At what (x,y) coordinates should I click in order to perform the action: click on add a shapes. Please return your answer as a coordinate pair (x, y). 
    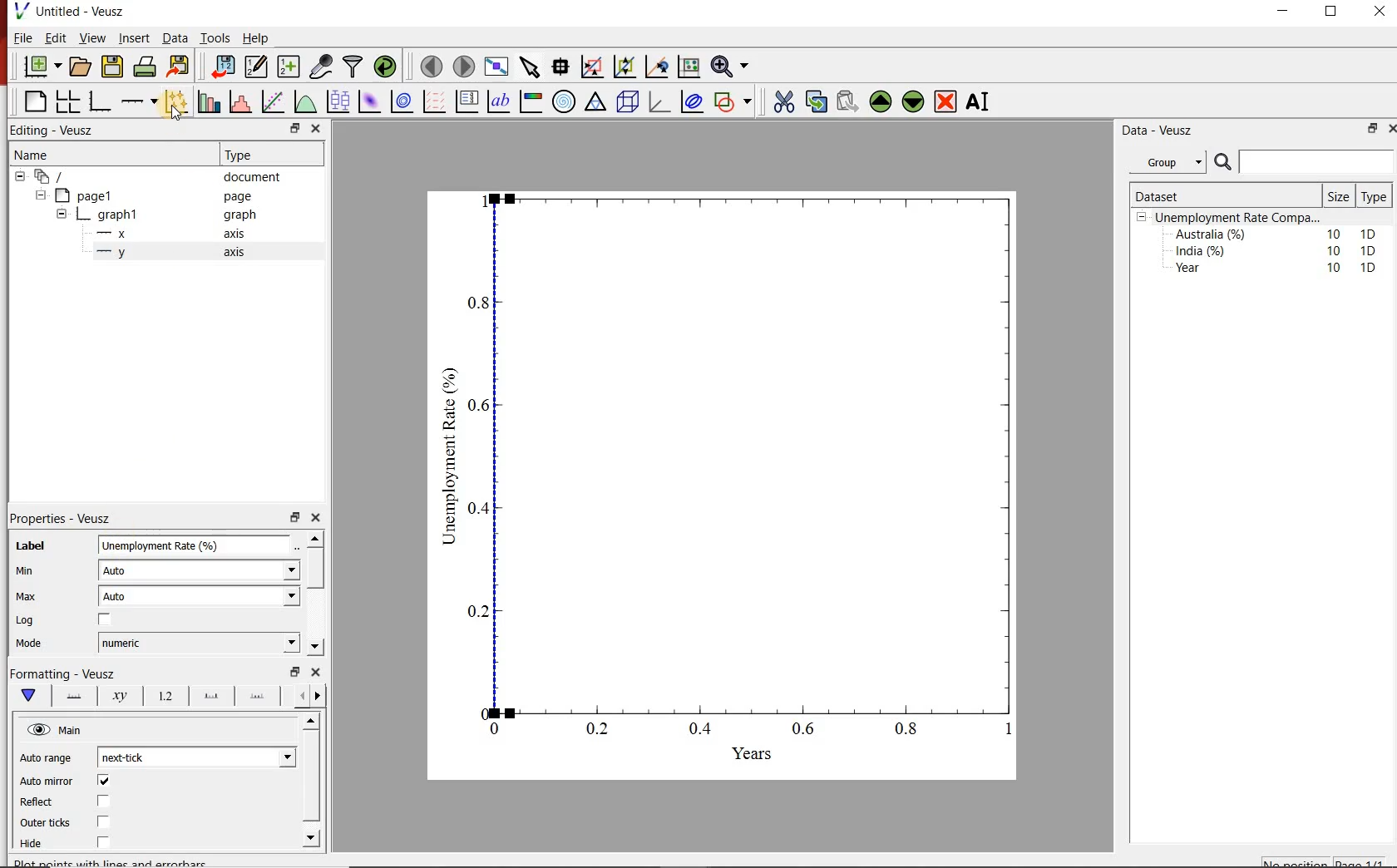
    Looking at the image, I should click on (733, 101).